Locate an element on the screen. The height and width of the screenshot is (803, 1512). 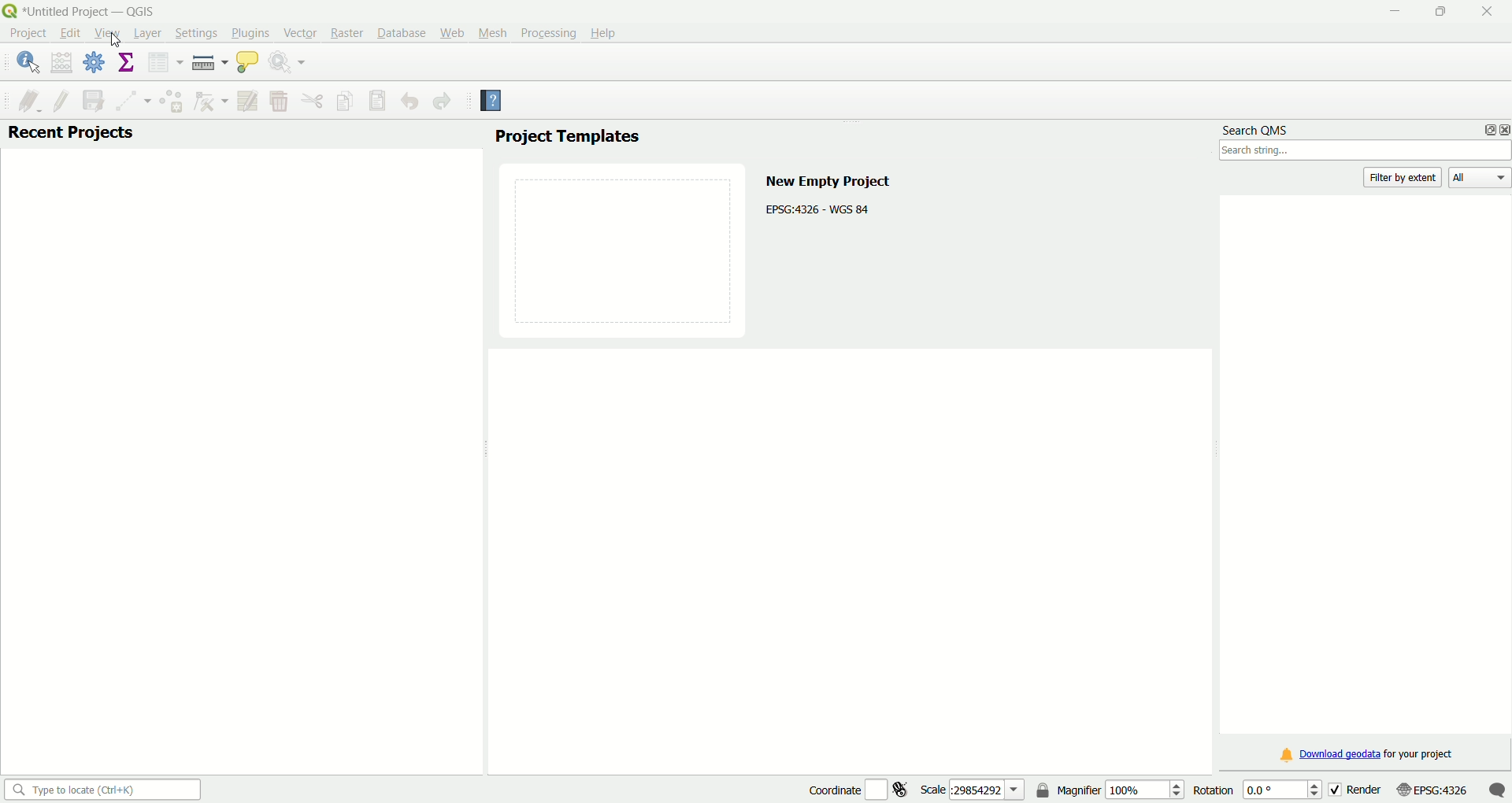
show statistical summary is located at coordinates (127, 63).